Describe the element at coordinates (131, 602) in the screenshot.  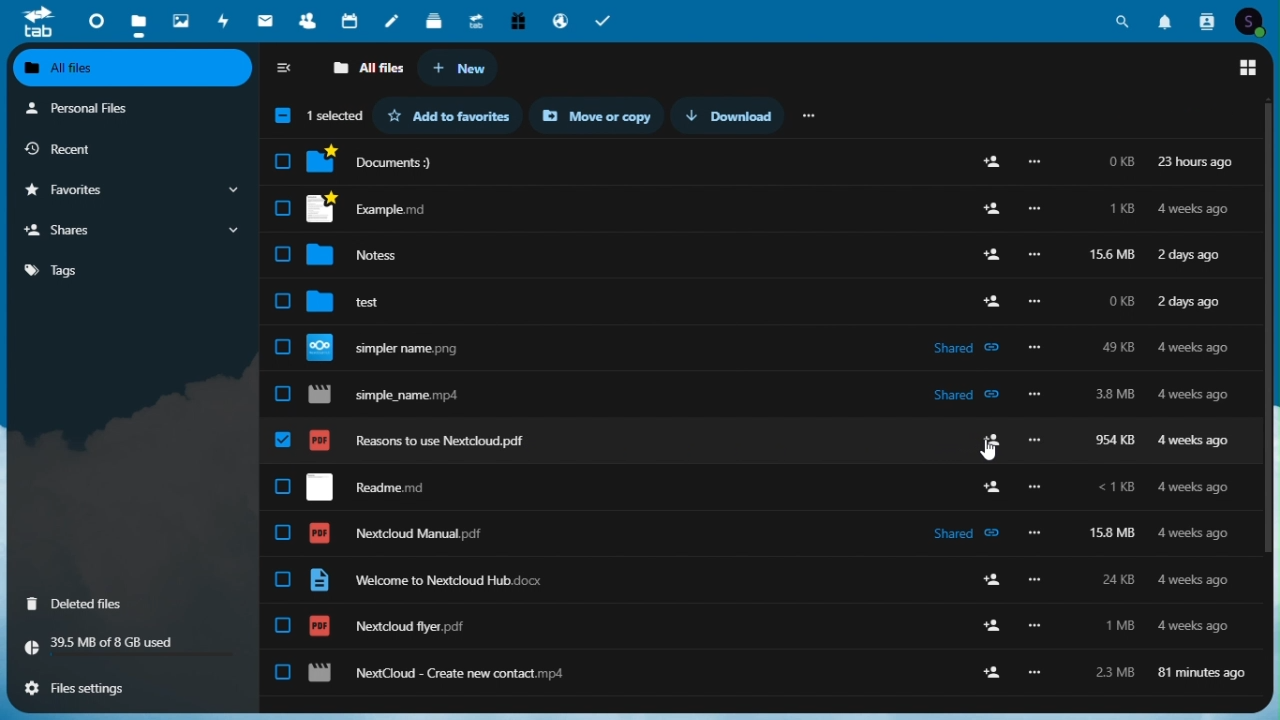
I see `deleted files` at that location.